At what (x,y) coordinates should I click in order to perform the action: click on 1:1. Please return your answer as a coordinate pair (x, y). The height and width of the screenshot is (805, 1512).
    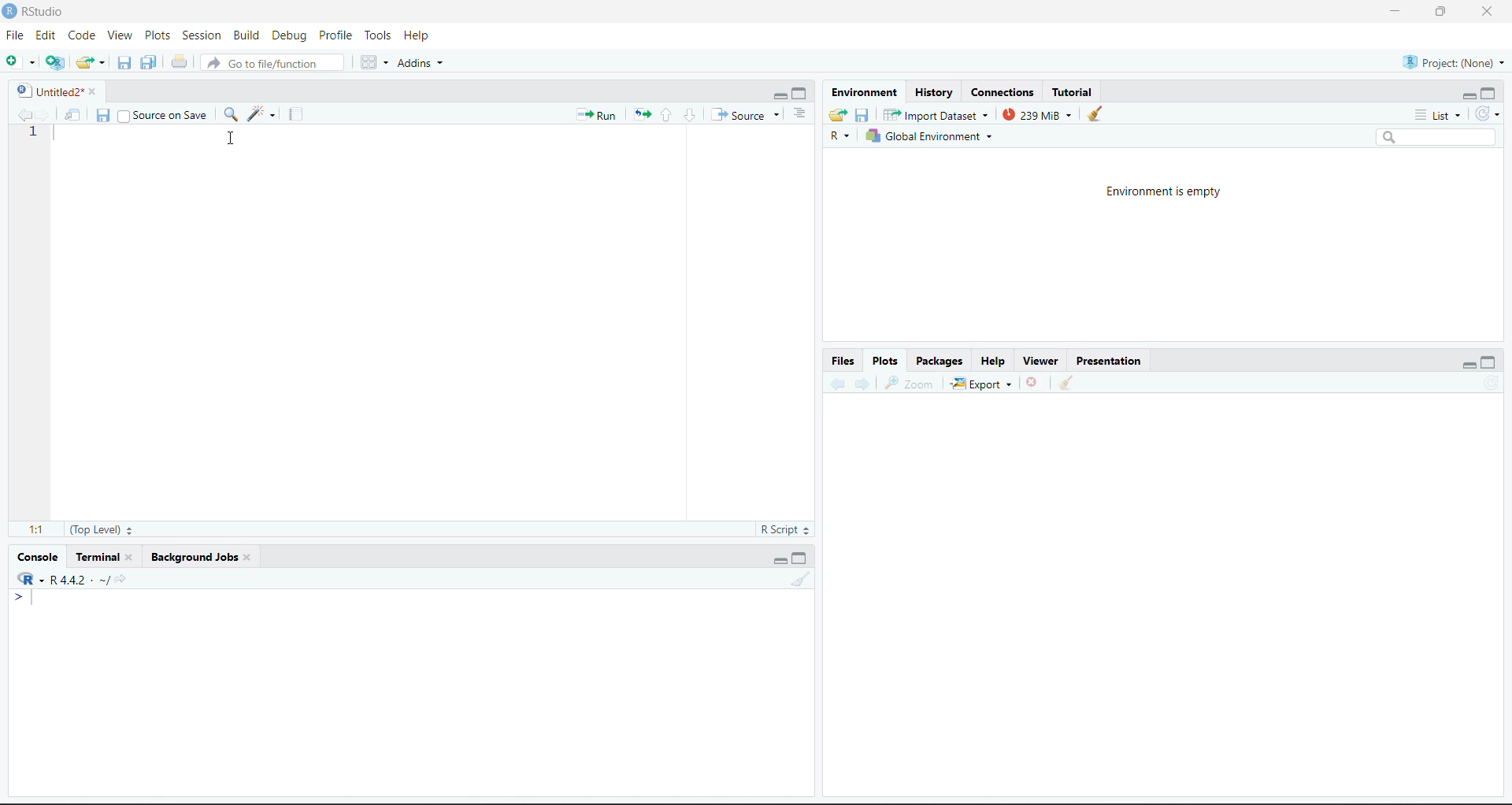
    Looking at the image, I should click on (36, 528).